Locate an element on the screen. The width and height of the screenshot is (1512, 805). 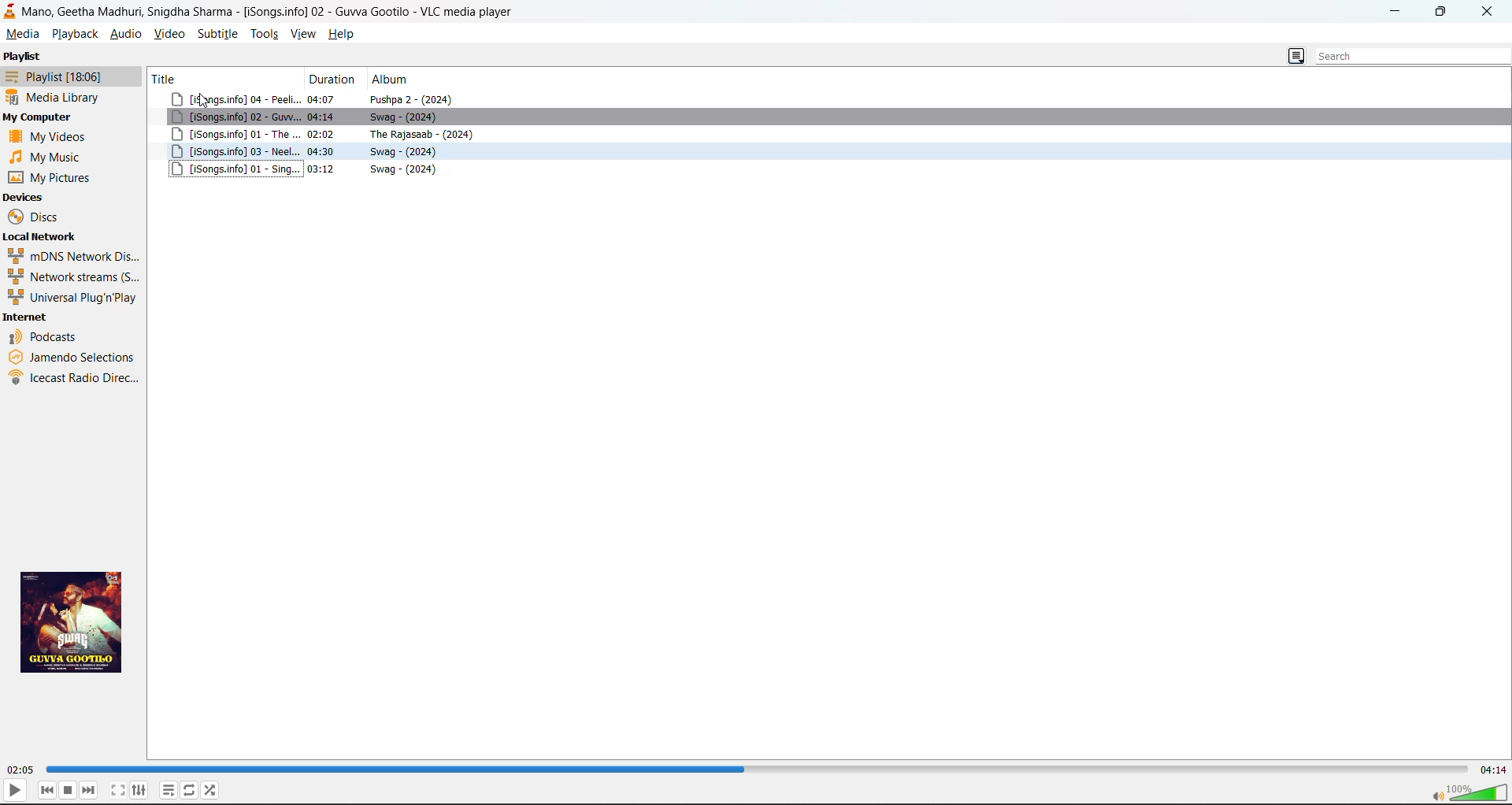
audio is located at coordinates (125, 33).